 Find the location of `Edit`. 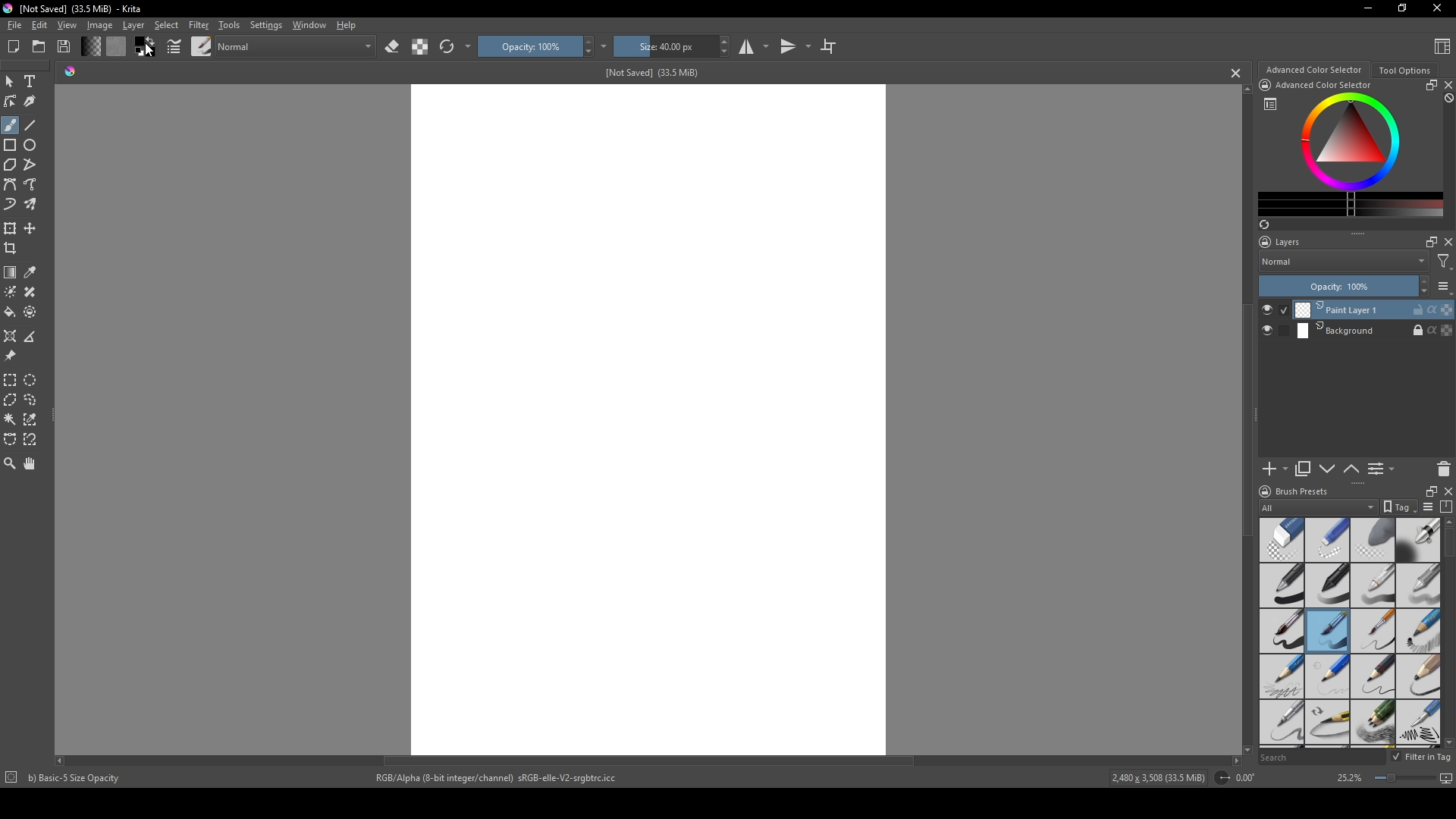

Edit is located at coordinates (39, 25).